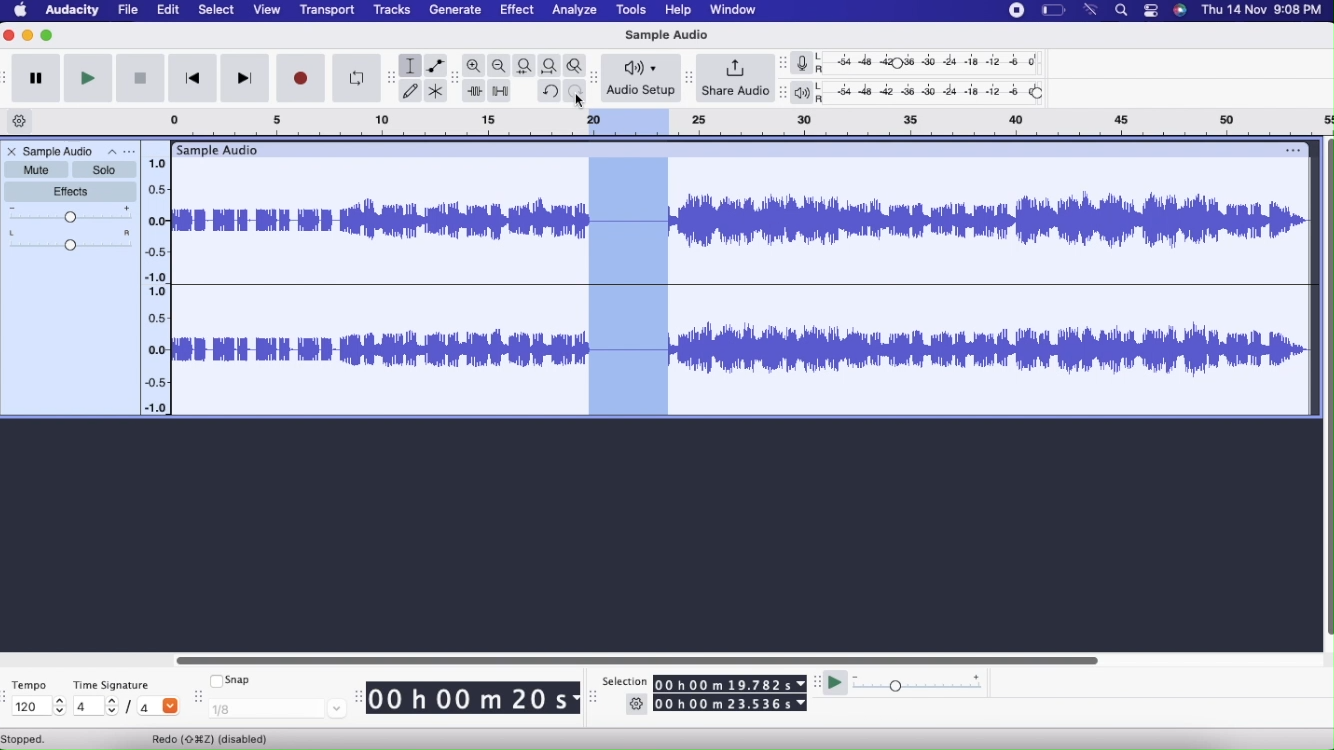 This screenshot has width=1334, height=750. I want to click on move toolbar, so click(597, 79).